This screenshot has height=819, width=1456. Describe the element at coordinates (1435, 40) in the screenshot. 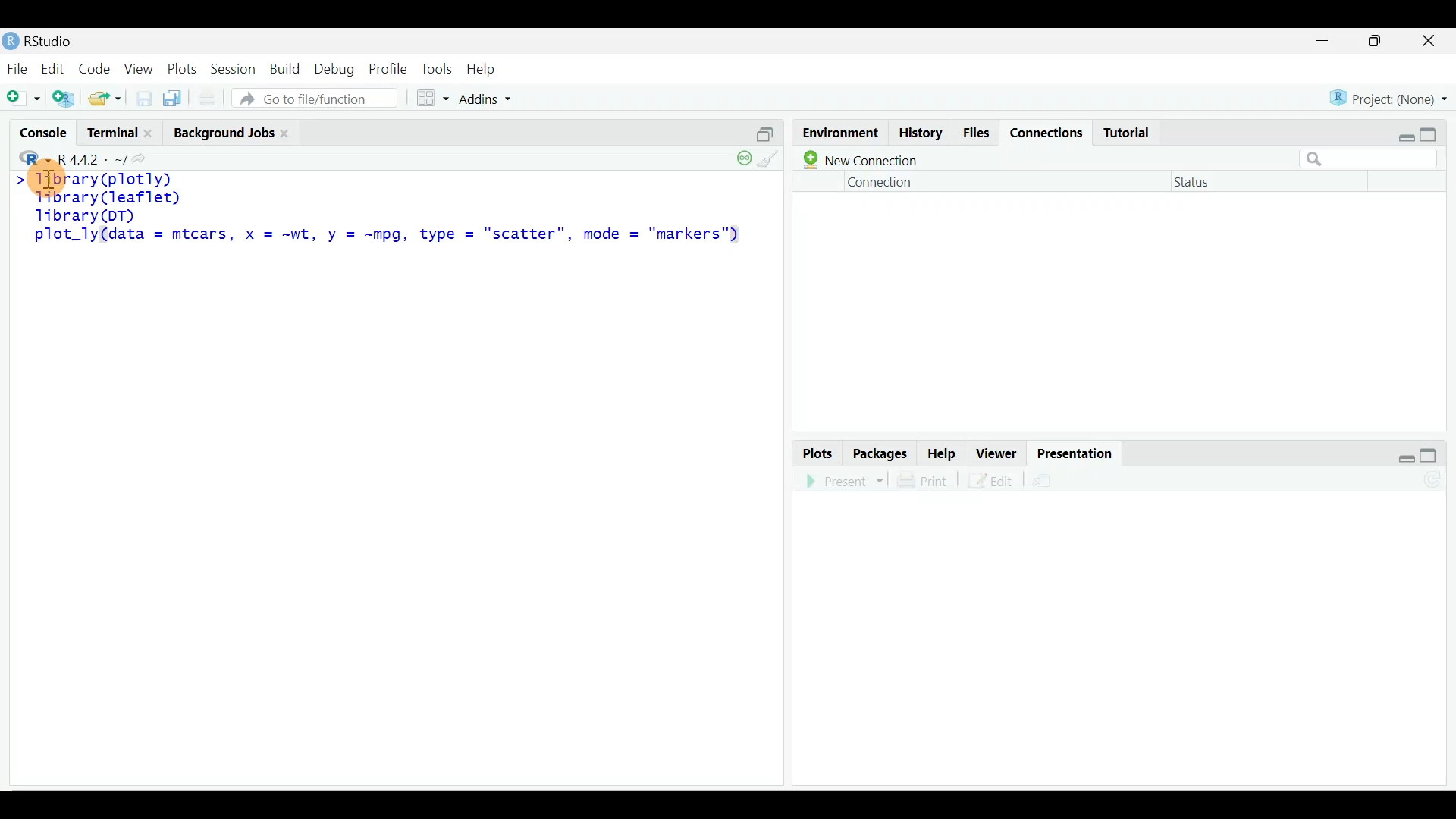

I see `close` at that location.